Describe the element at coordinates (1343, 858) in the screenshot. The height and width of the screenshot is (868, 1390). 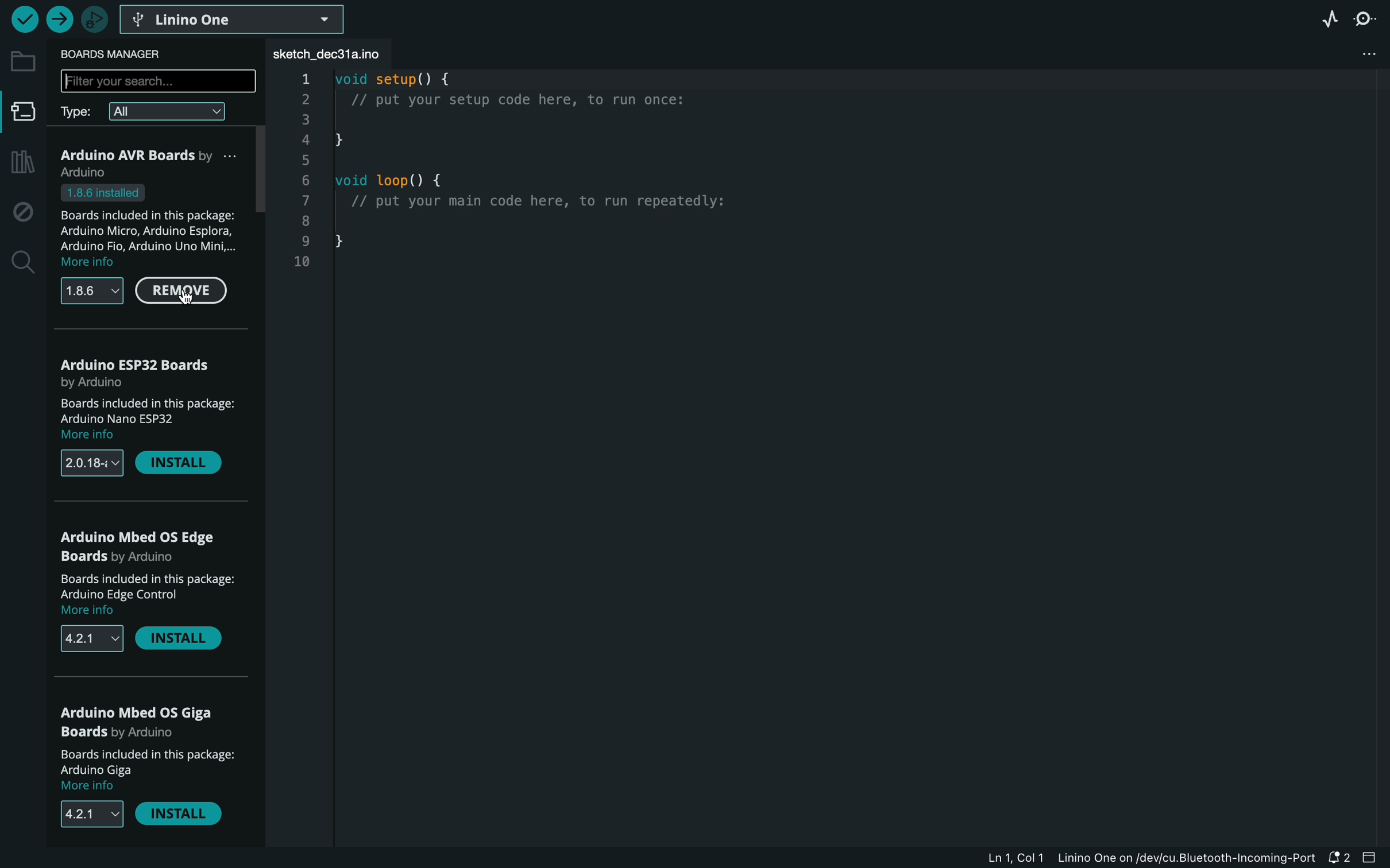
I see `notification` at that location.